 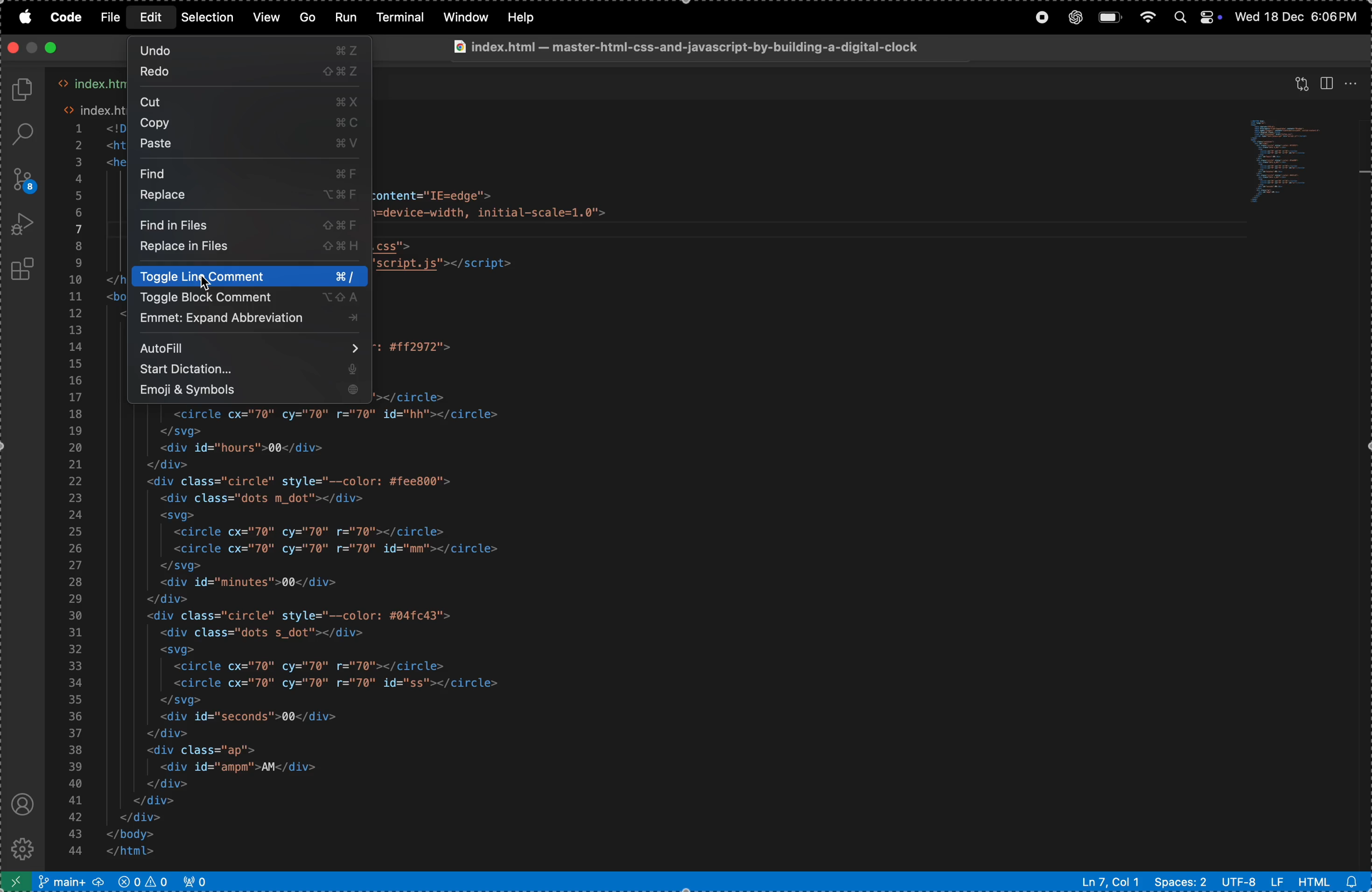 What do you see at coordinates (1148, 18) in the screenshot?
I see `wifi` at bounding box center [1148, 18].